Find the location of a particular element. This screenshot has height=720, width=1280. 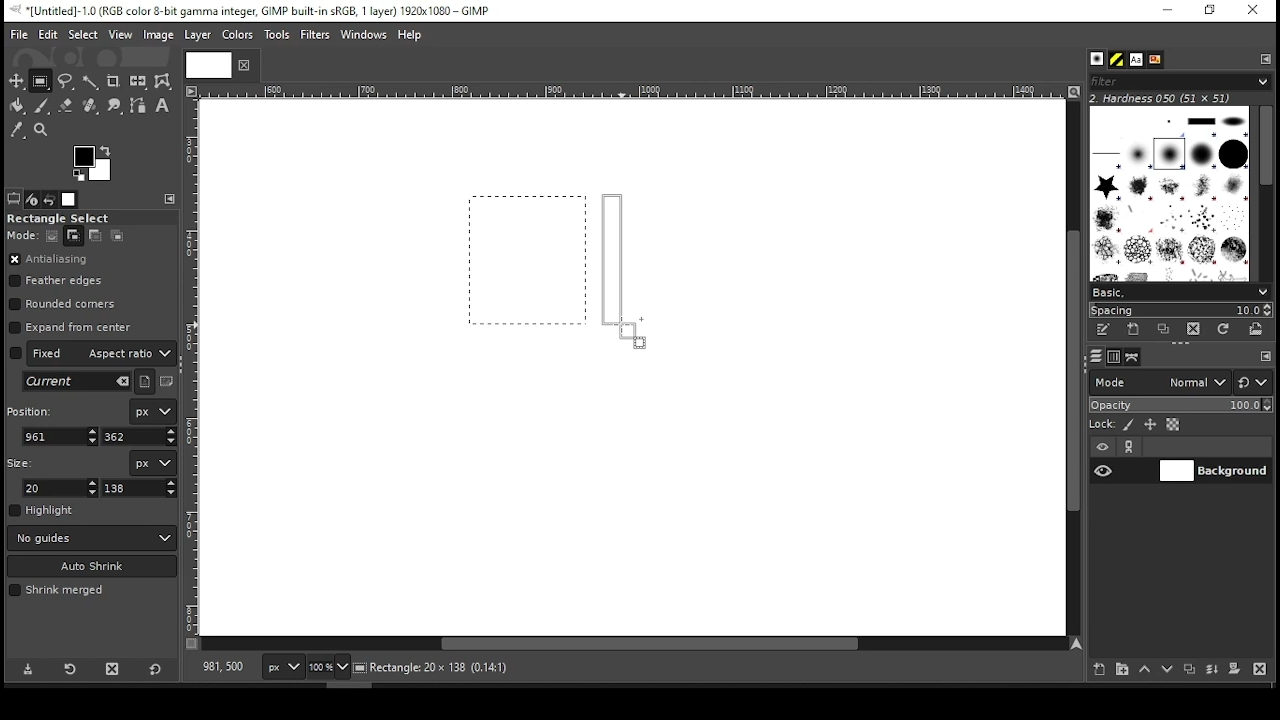

reset to defaults is located at coordinates (156, 670).